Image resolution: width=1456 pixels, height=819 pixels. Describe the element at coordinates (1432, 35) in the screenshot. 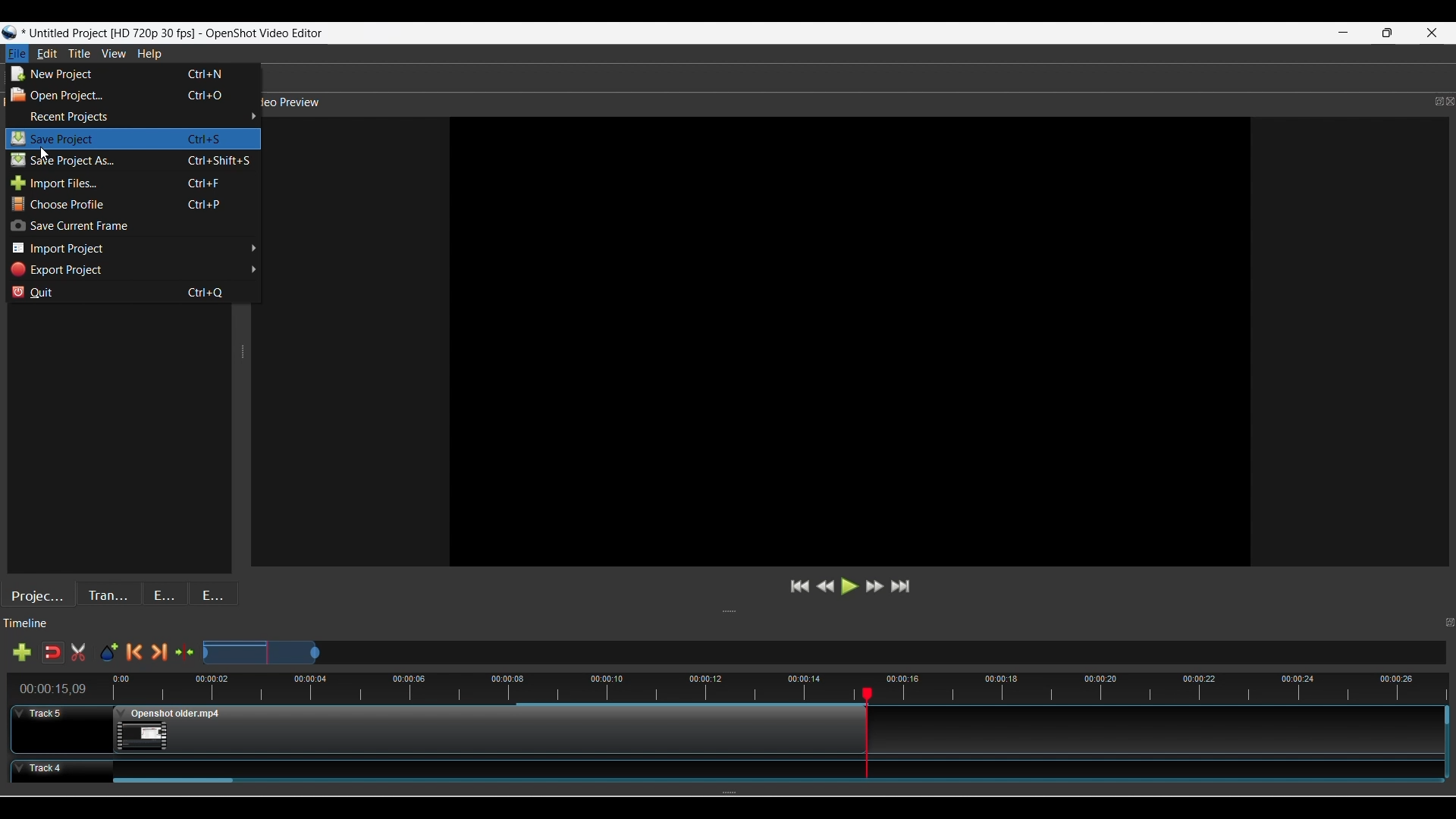

I see `Close interface` at that location.